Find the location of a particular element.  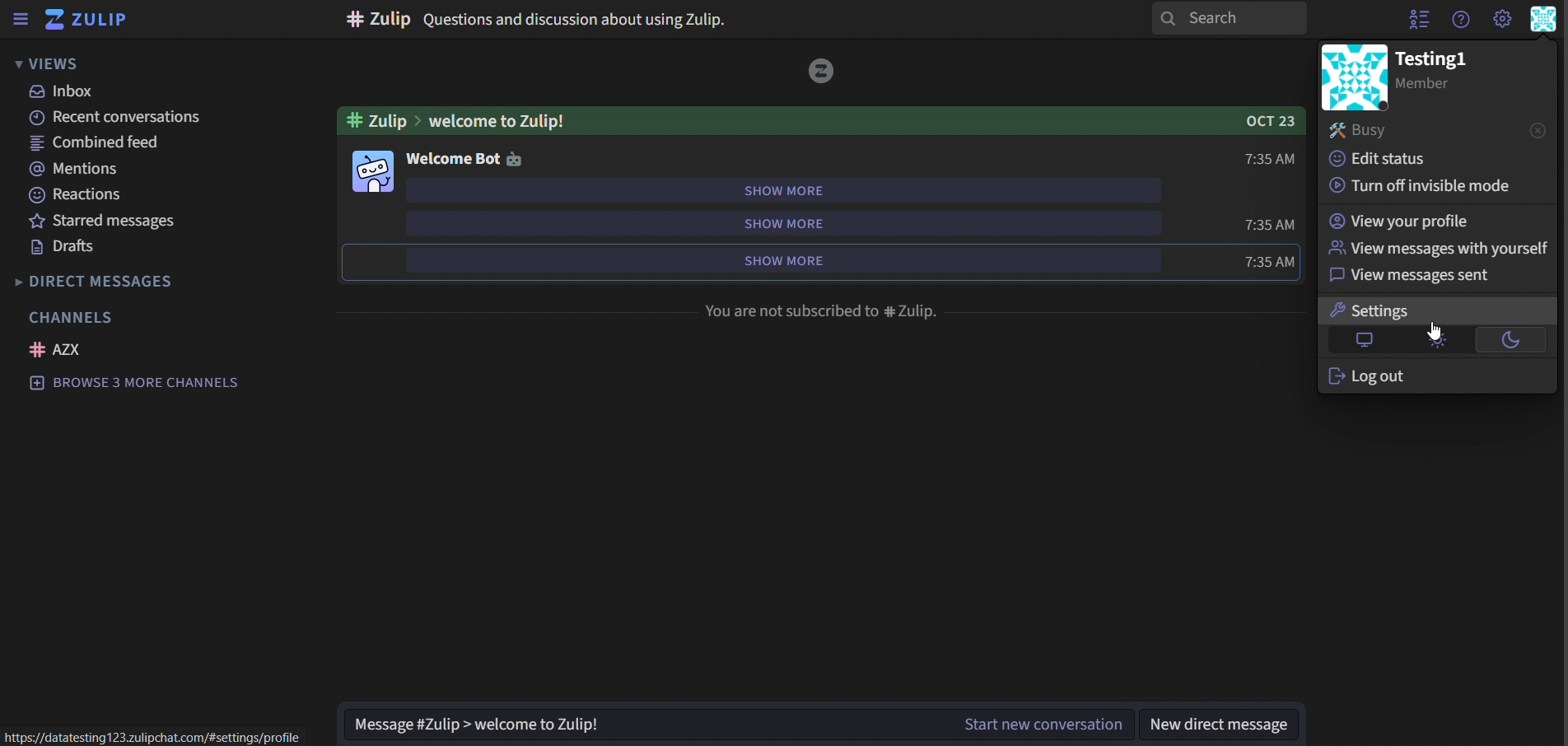

Testing1 is located at coordinates (1444, 57).